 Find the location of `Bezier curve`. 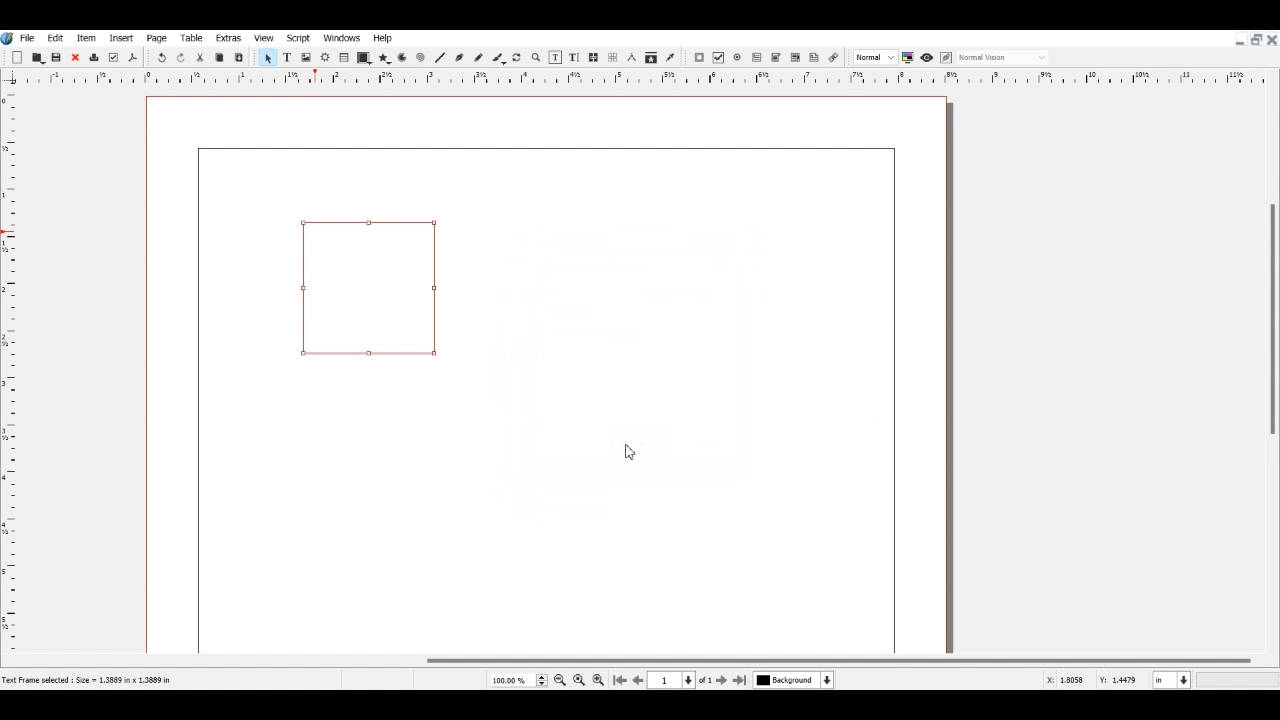

Bezier curve is located at coordinates (459, 57).